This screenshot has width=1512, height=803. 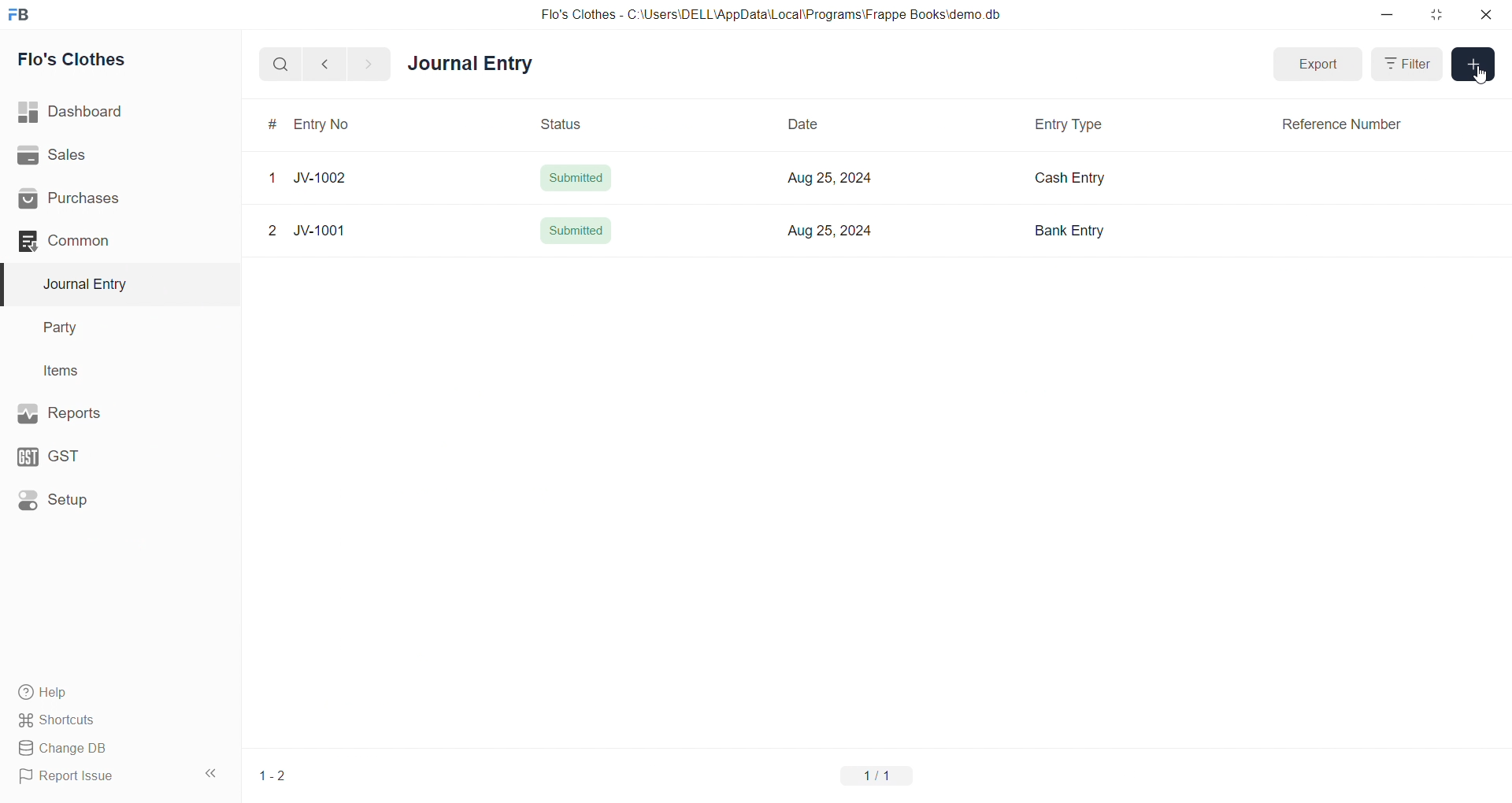 What do you see at coordinates (1068, 231) in the screenshot?
I see `Bank Entry` at bounding box center [1068, 231].